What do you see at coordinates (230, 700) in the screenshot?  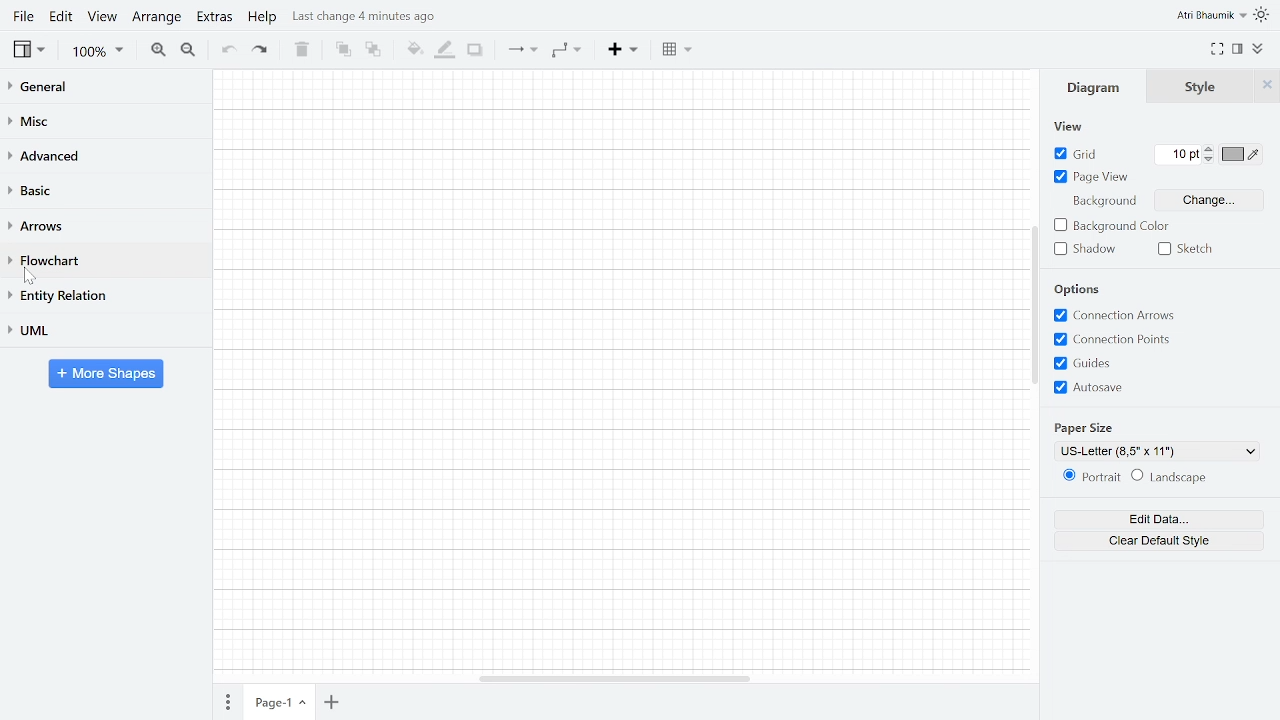 I see `pages` at bounding box center [230, 700].